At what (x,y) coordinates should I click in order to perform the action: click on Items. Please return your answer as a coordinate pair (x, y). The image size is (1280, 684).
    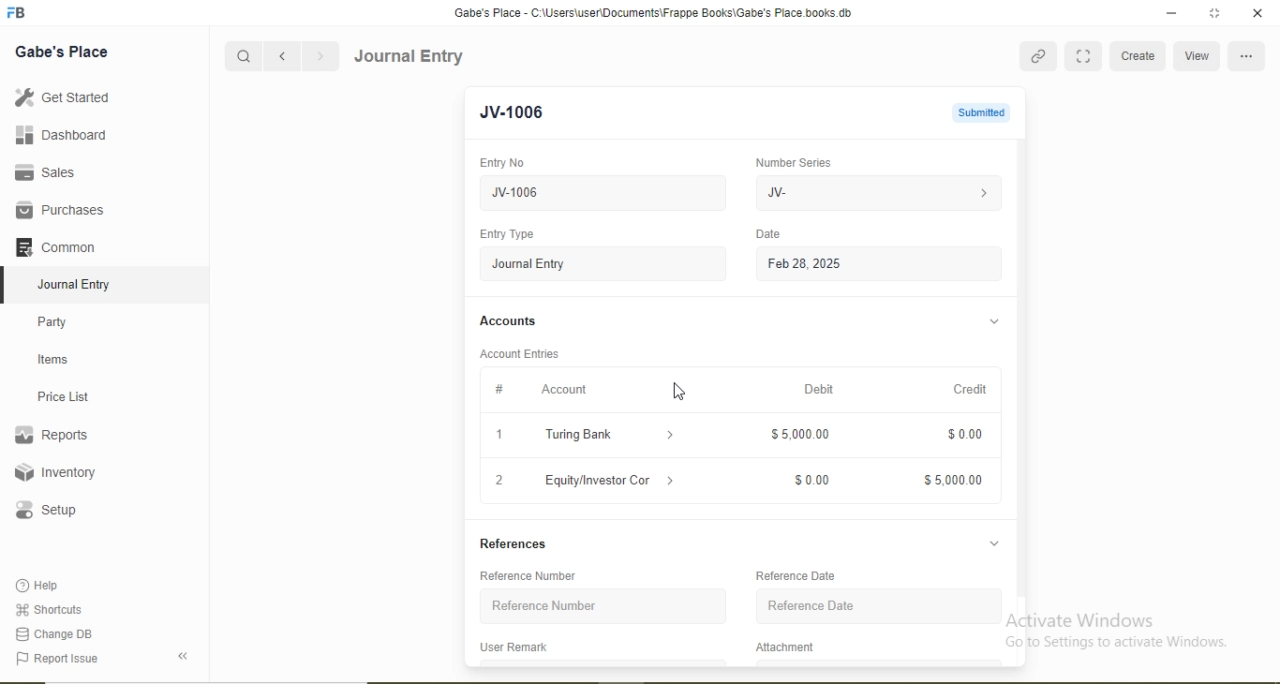
    Looking at the image, I should click on (53, 359).